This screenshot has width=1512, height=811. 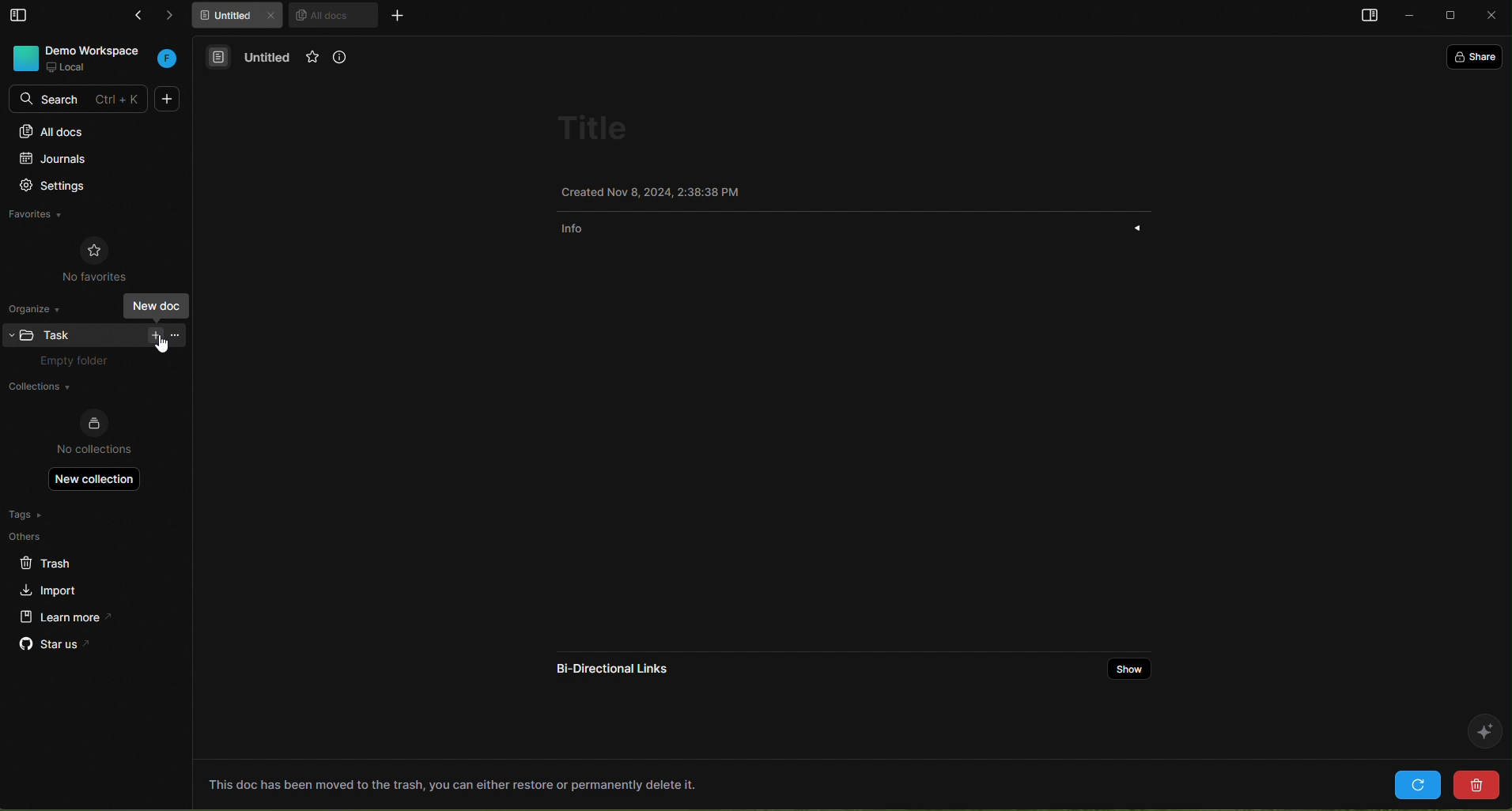 What do you see at coordinates (168, 99) in the screenshot?
I see `new doc` at bounding box center [168, 99].